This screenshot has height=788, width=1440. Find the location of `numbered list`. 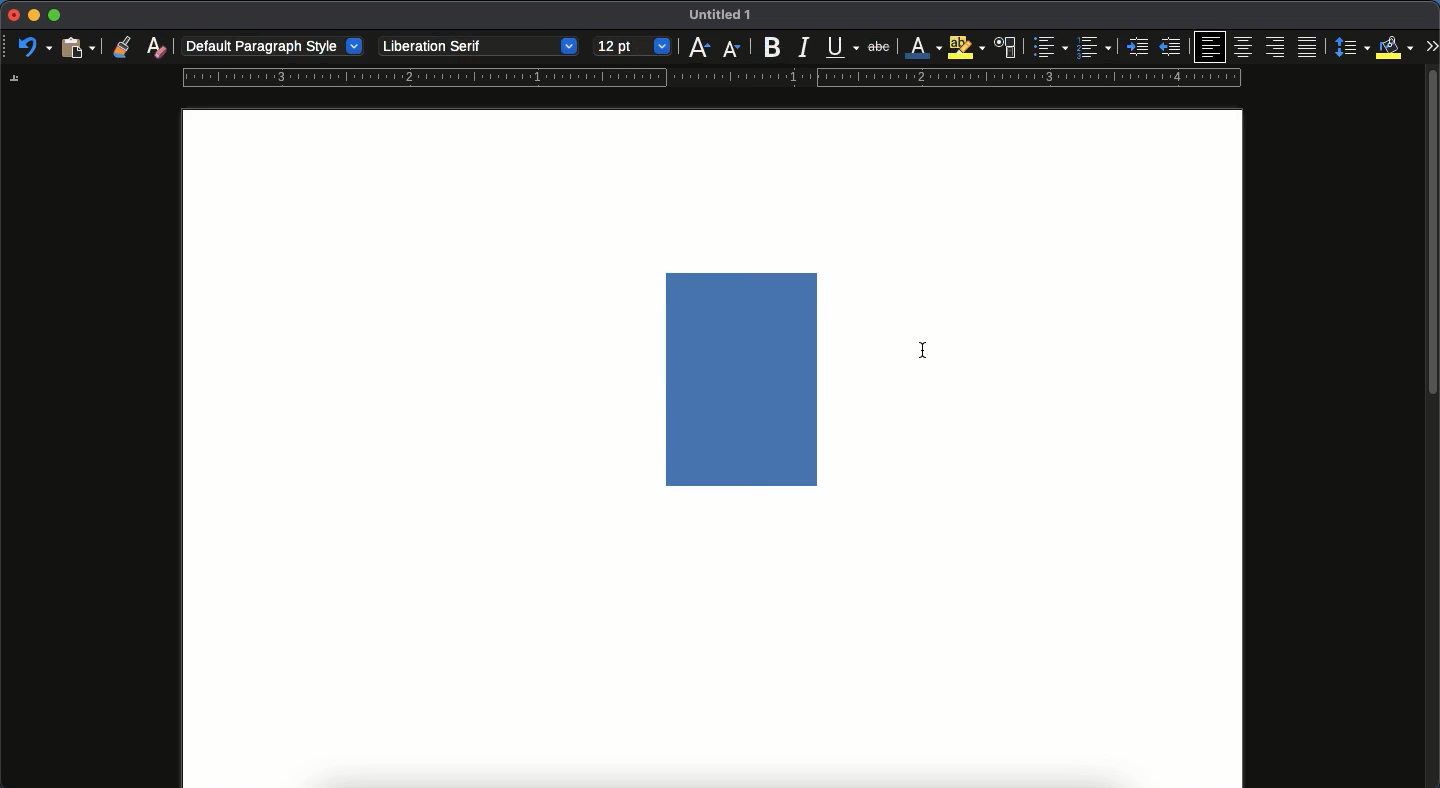

numbered list is located at coordinates (1093, 49).